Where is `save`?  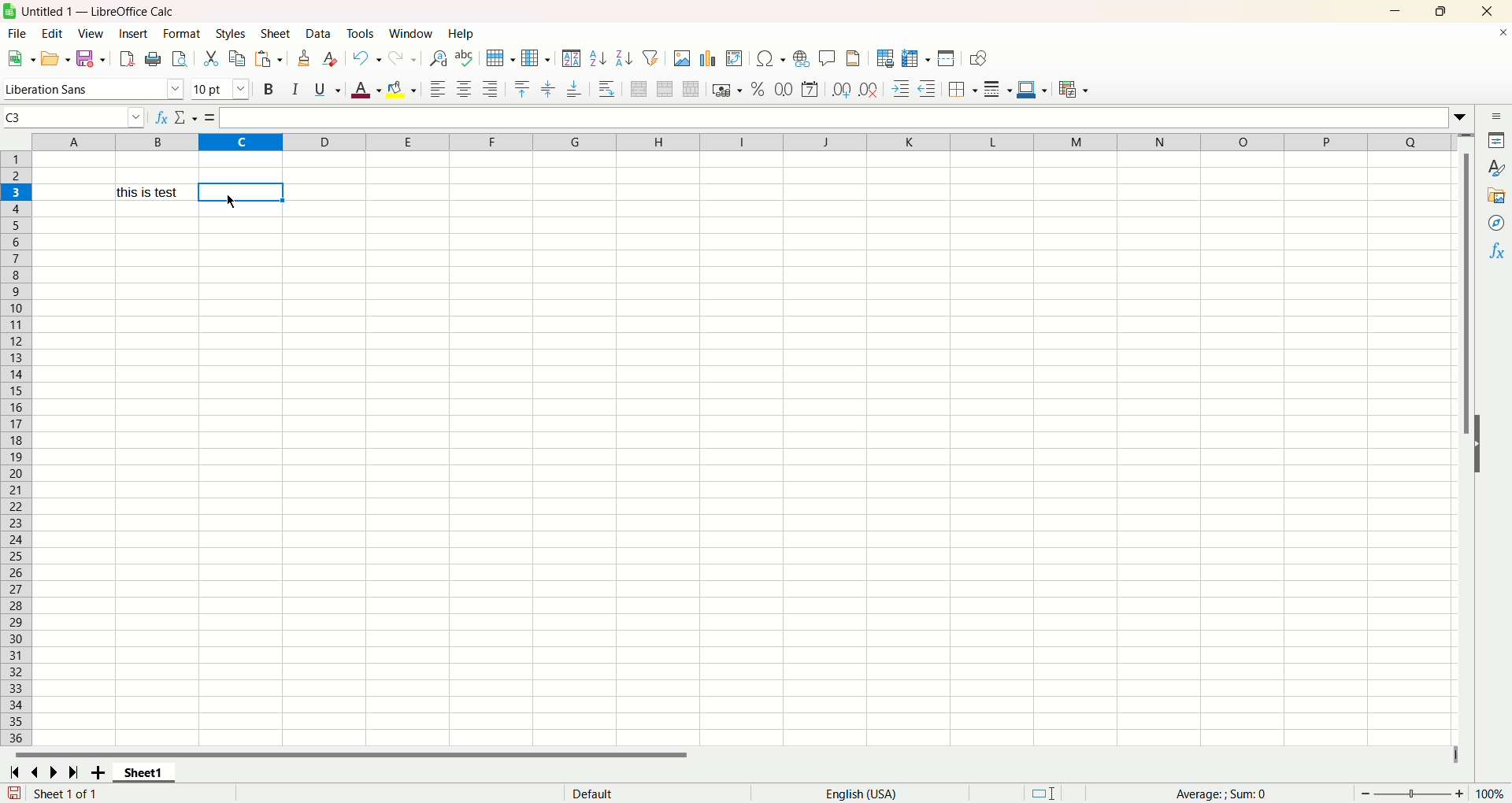 save is located at coordinates (91, 59).